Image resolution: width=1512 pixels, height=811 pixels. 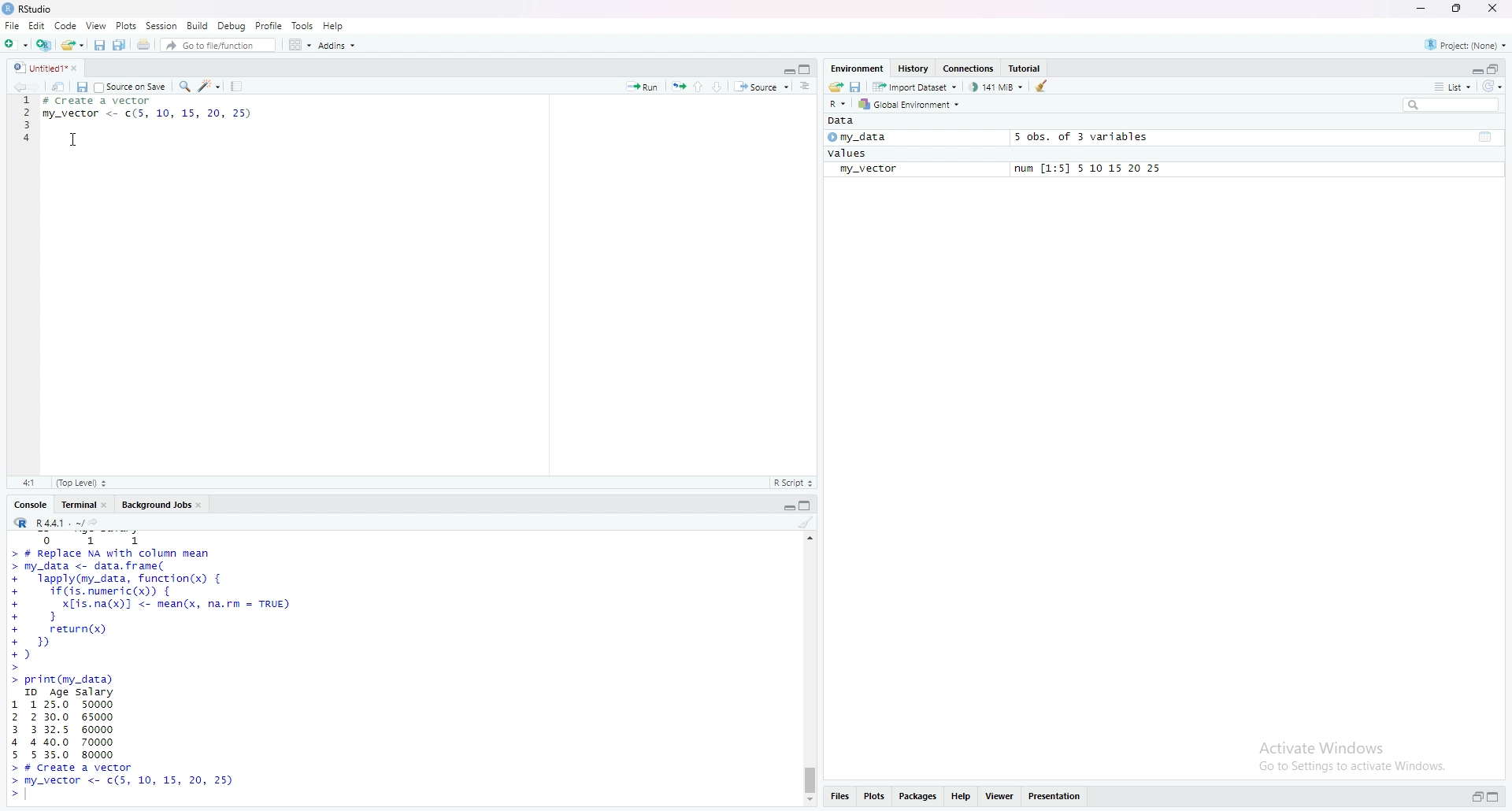 I want to click on view the current working directory, so click(x=98, y=523).